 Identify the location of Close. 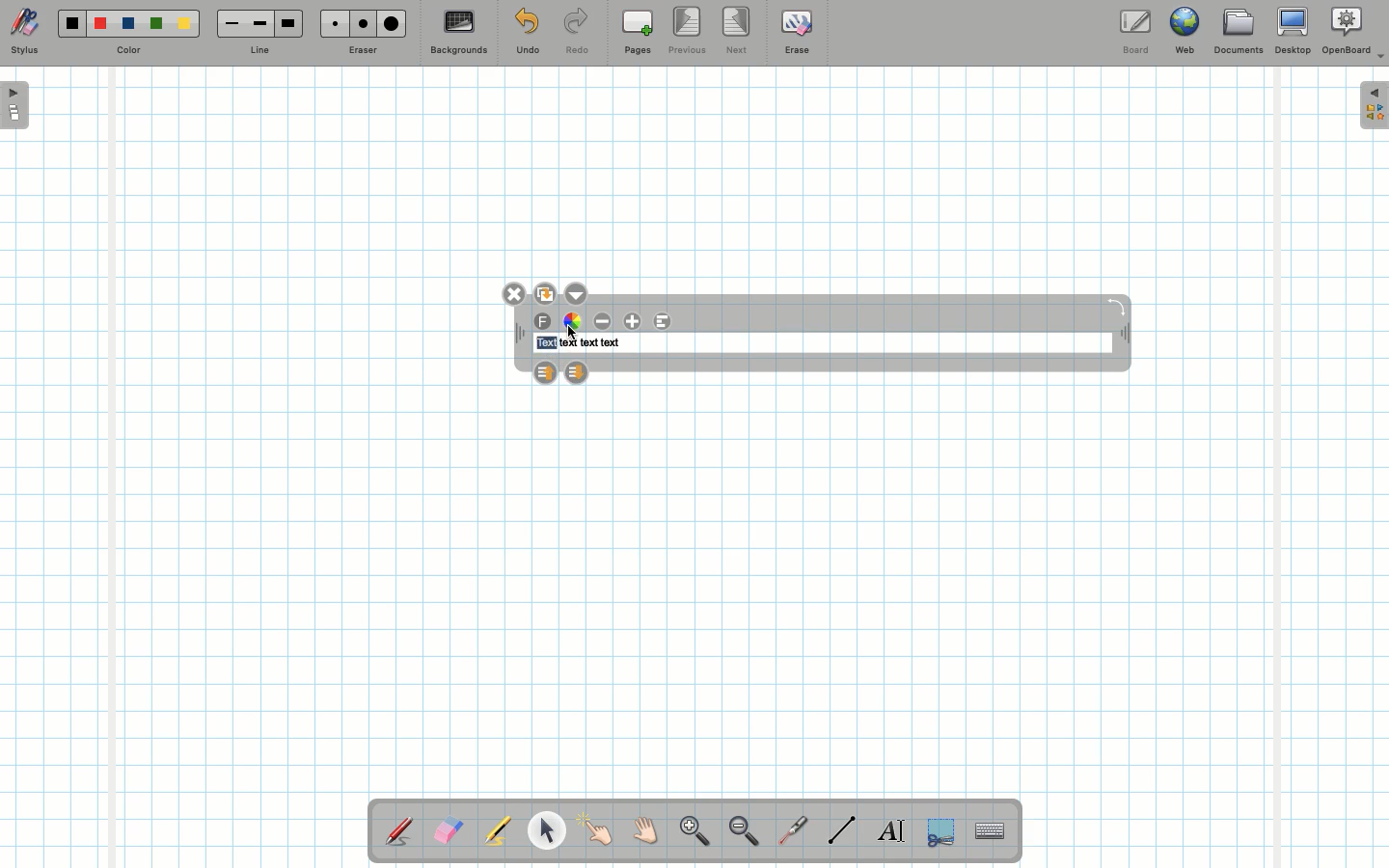
(516, 294).